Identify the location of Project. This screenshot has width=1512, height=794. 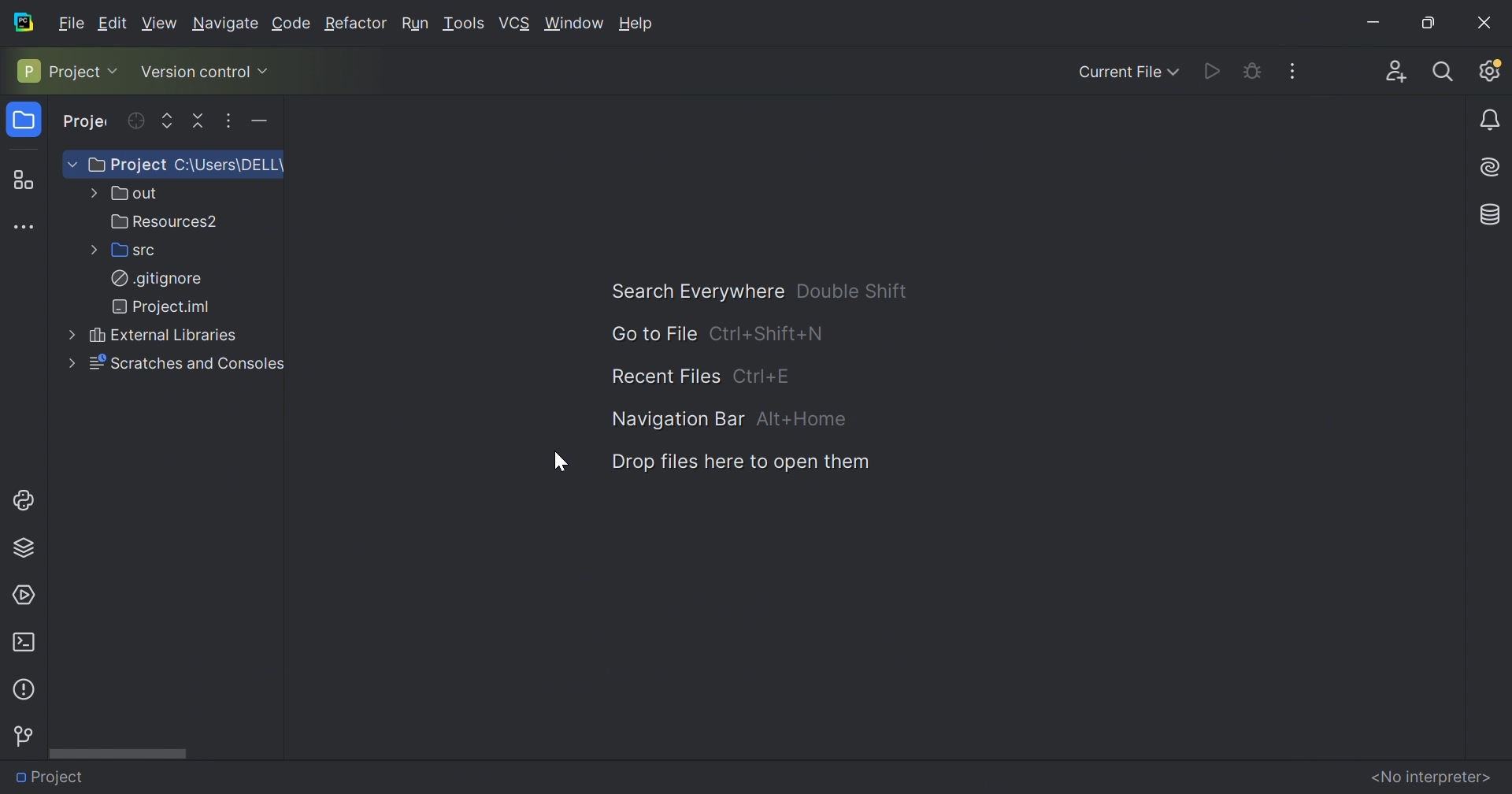
(126, 165).